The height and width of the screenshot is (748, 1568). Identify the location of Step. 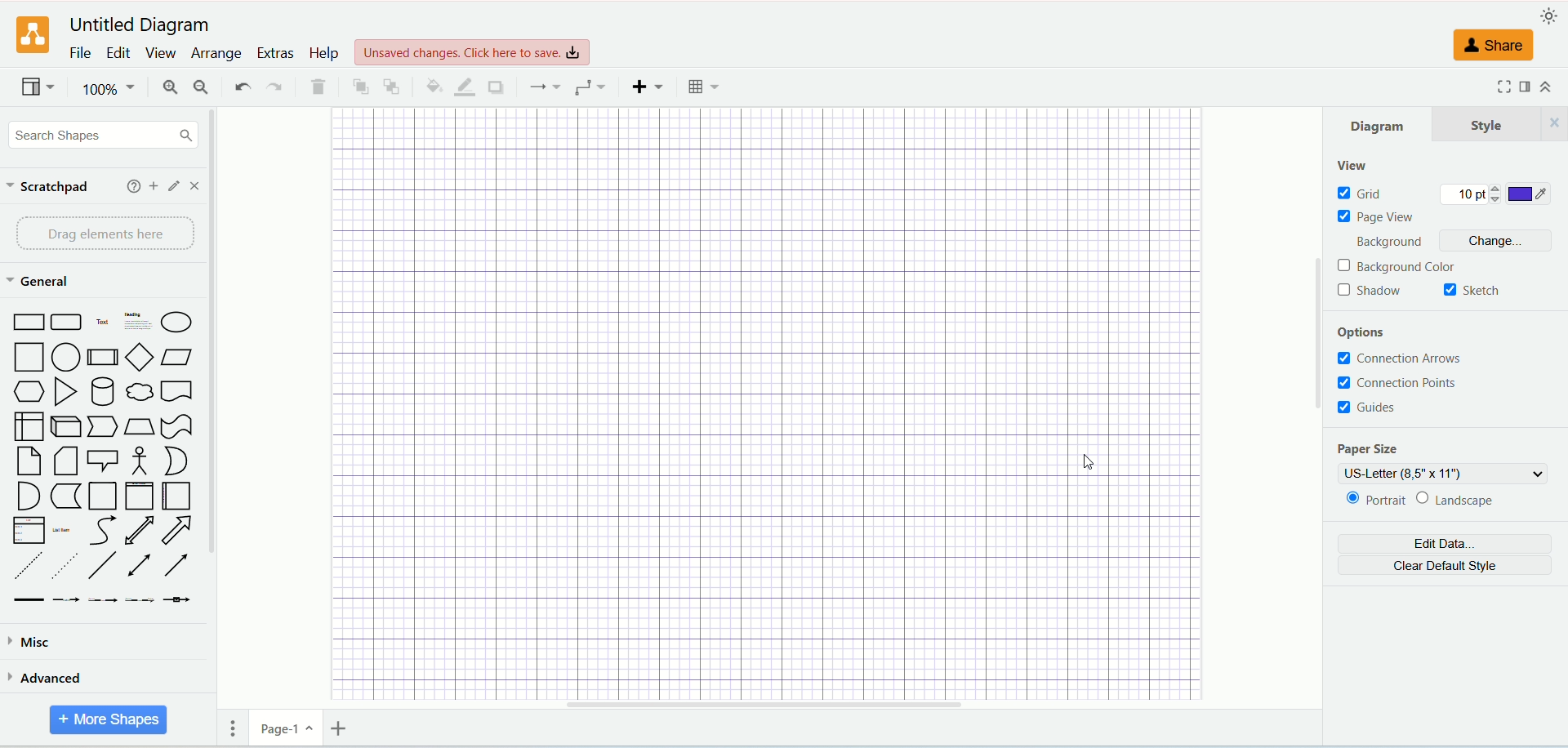
(103, 427).